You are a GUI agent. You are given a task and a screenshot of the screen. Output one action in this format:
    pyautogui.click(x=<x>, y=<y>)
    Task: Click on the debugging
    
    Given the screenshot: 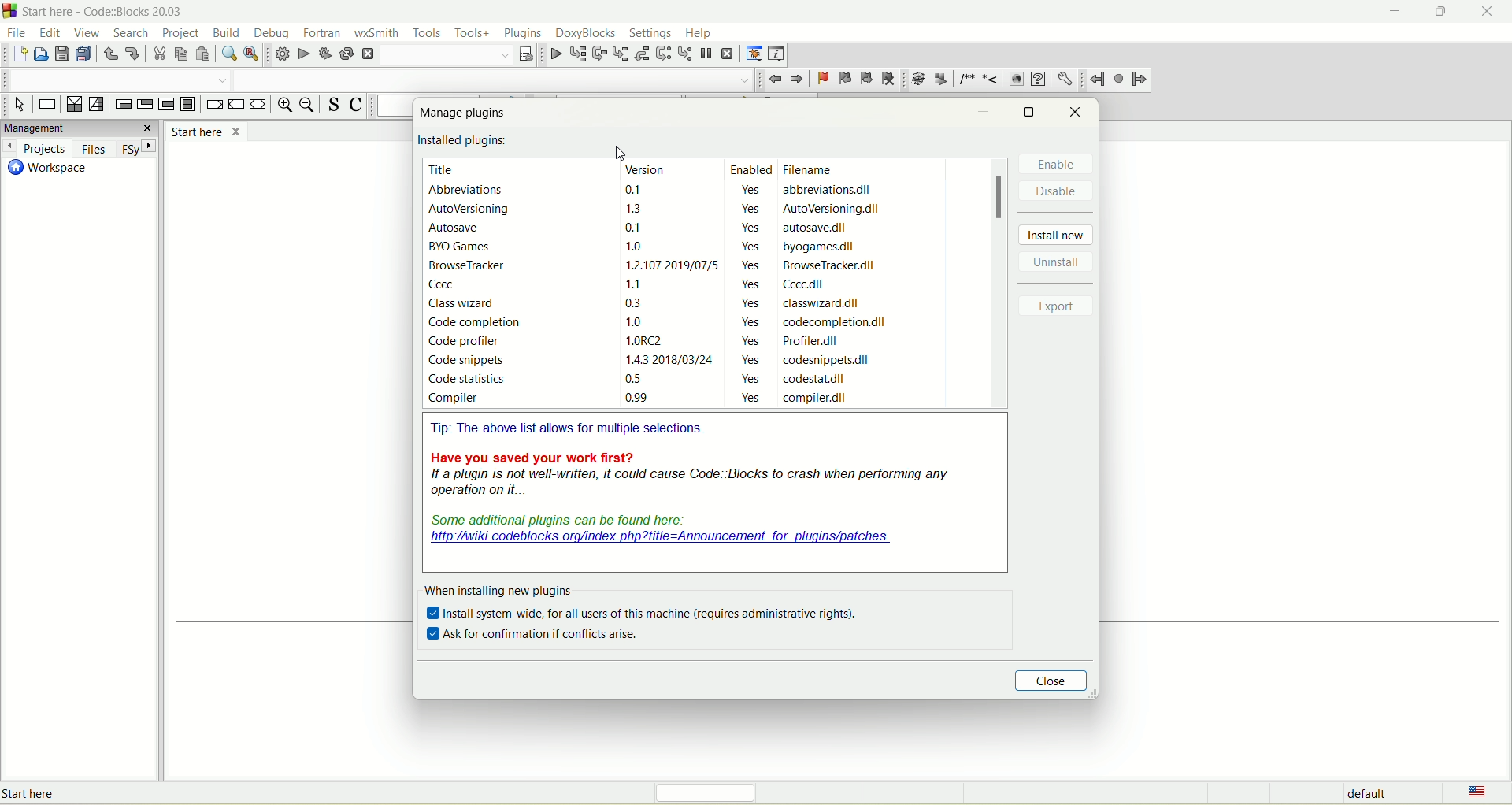 What is the action you would take?
    pyautogui.click(x=754, y=51)
    